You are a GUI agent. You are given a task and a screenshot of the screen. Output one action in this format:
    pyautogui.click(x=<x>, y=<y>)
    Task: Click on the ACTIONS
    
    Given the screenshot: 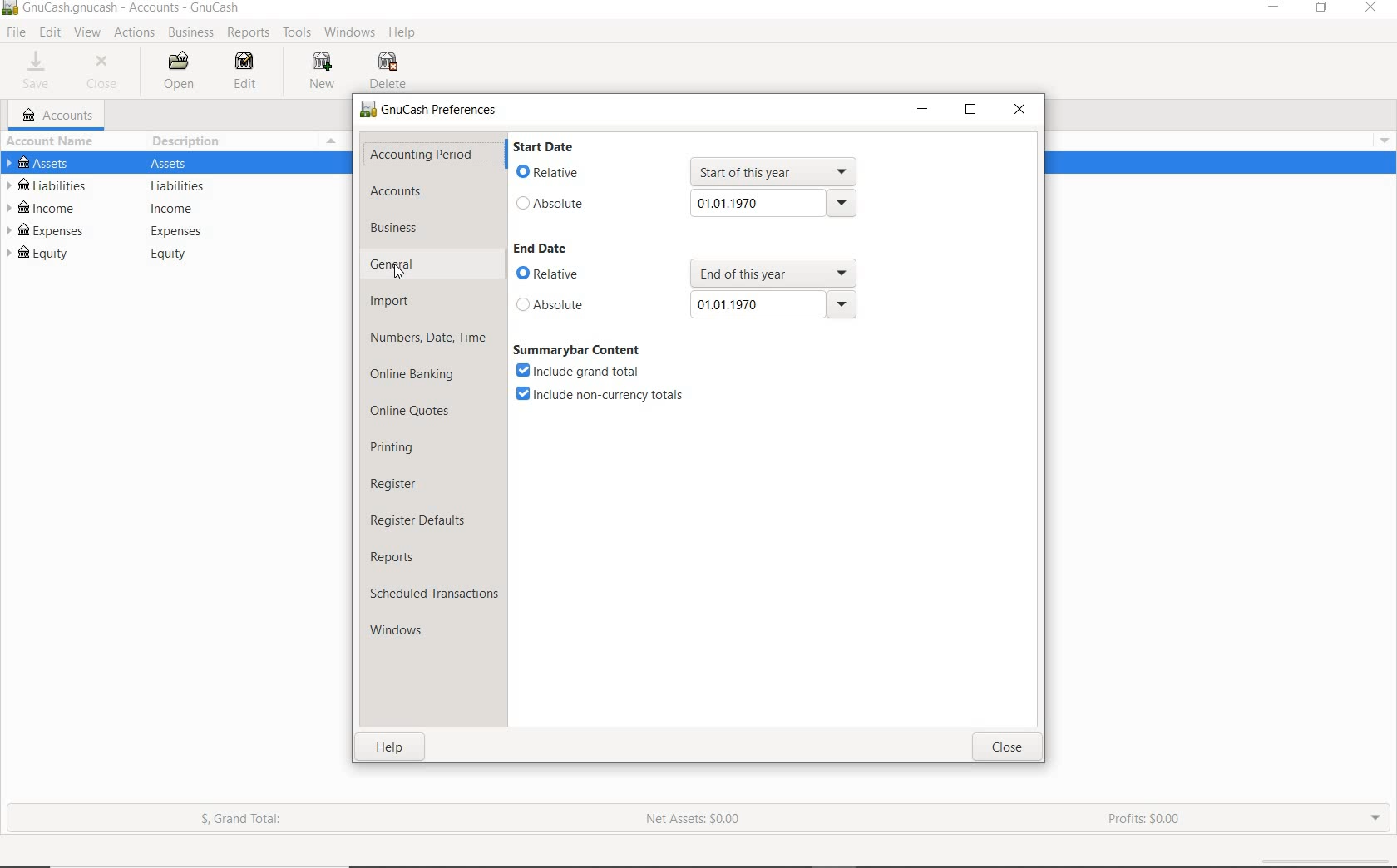 What is the action you would take?
    pyautogui.click(x=133, y=34)
    